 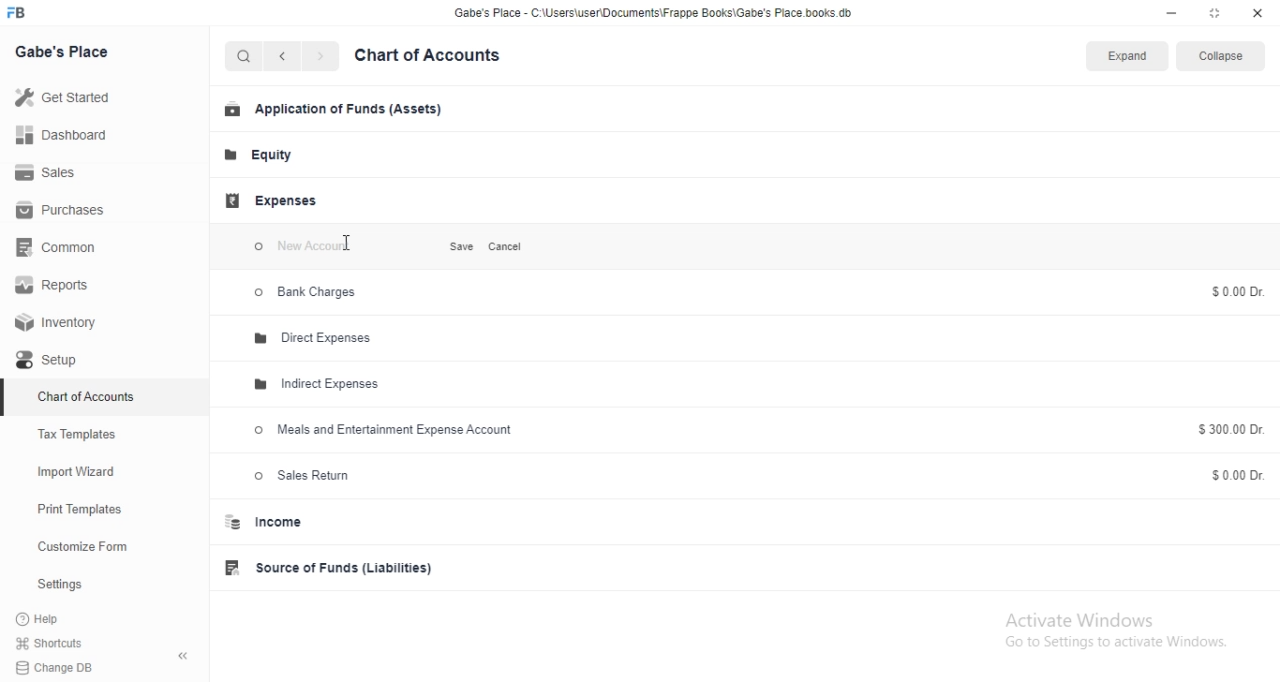 What do you see at coordinates (272, 200) in the screenshot?
I see `Expenses` at bounding box center [272, 200].